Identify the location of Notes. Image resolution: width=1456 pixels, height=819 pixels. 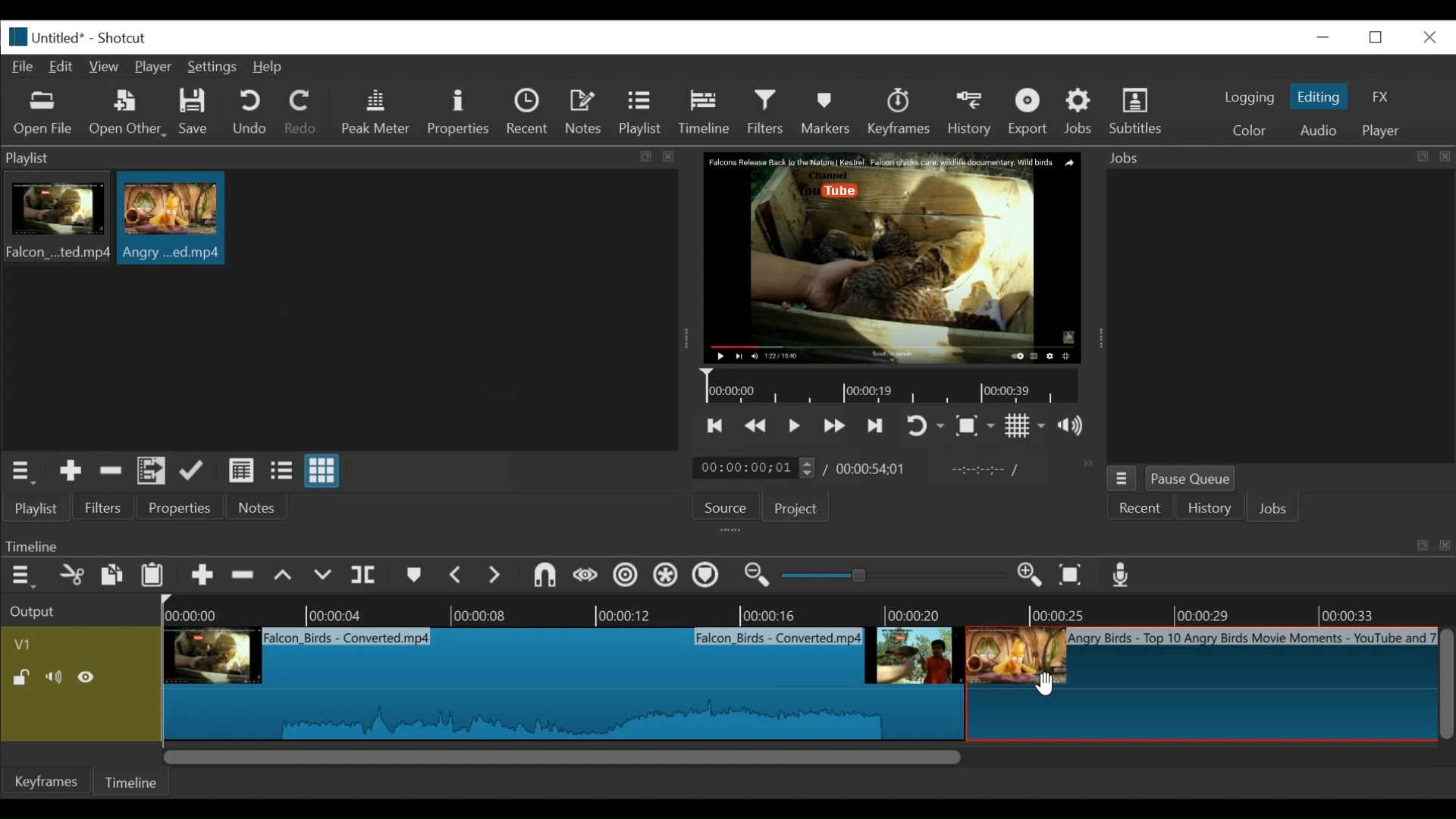
(586, 112).